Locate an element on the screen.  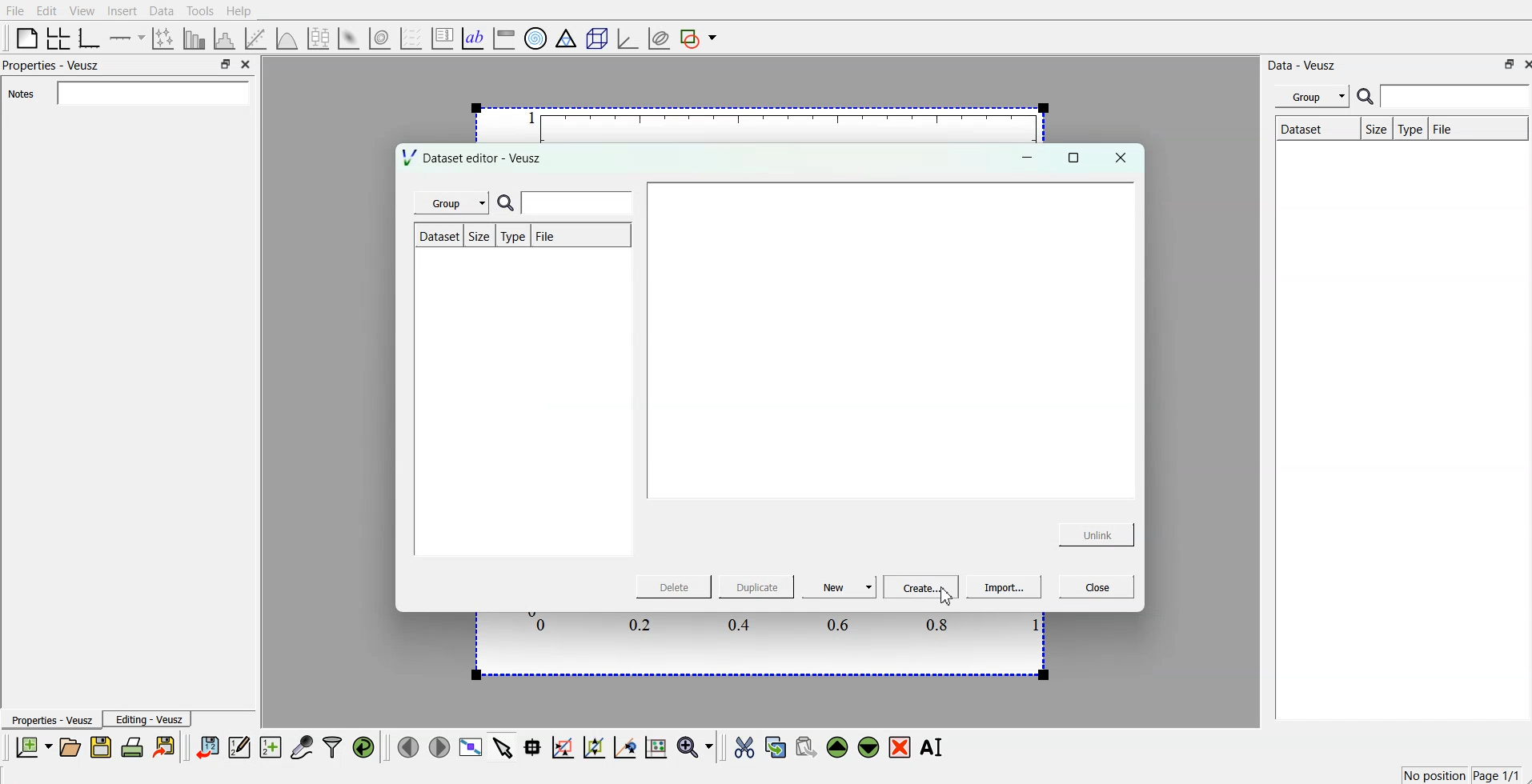
select items is located at coordinates (502, 749).